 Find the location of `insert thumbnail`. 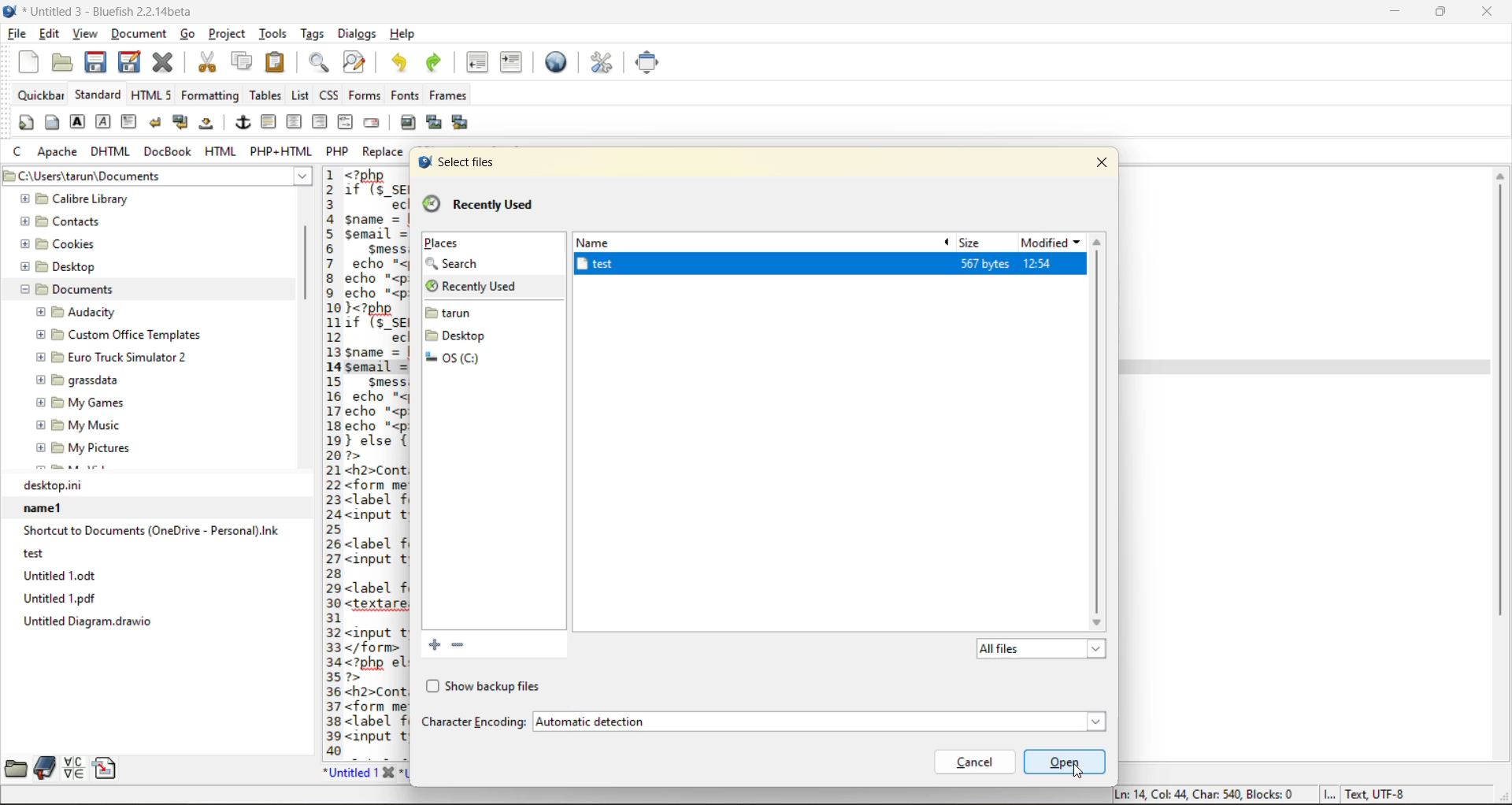

insert thumbnail is located at coordinates (435, 124).